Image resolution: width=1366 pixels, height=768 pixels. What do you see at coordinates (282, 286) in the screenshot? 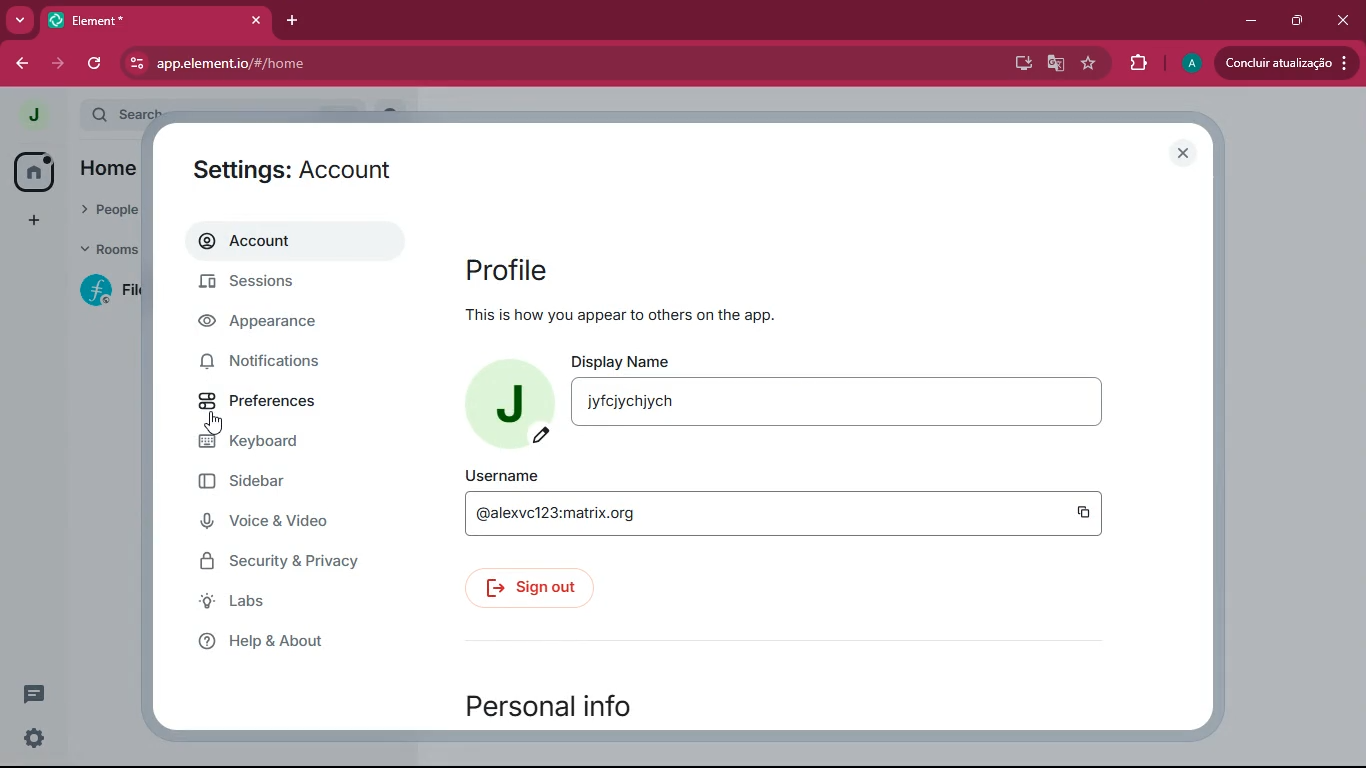
I see `sessions` at bounding box center [282, 286].